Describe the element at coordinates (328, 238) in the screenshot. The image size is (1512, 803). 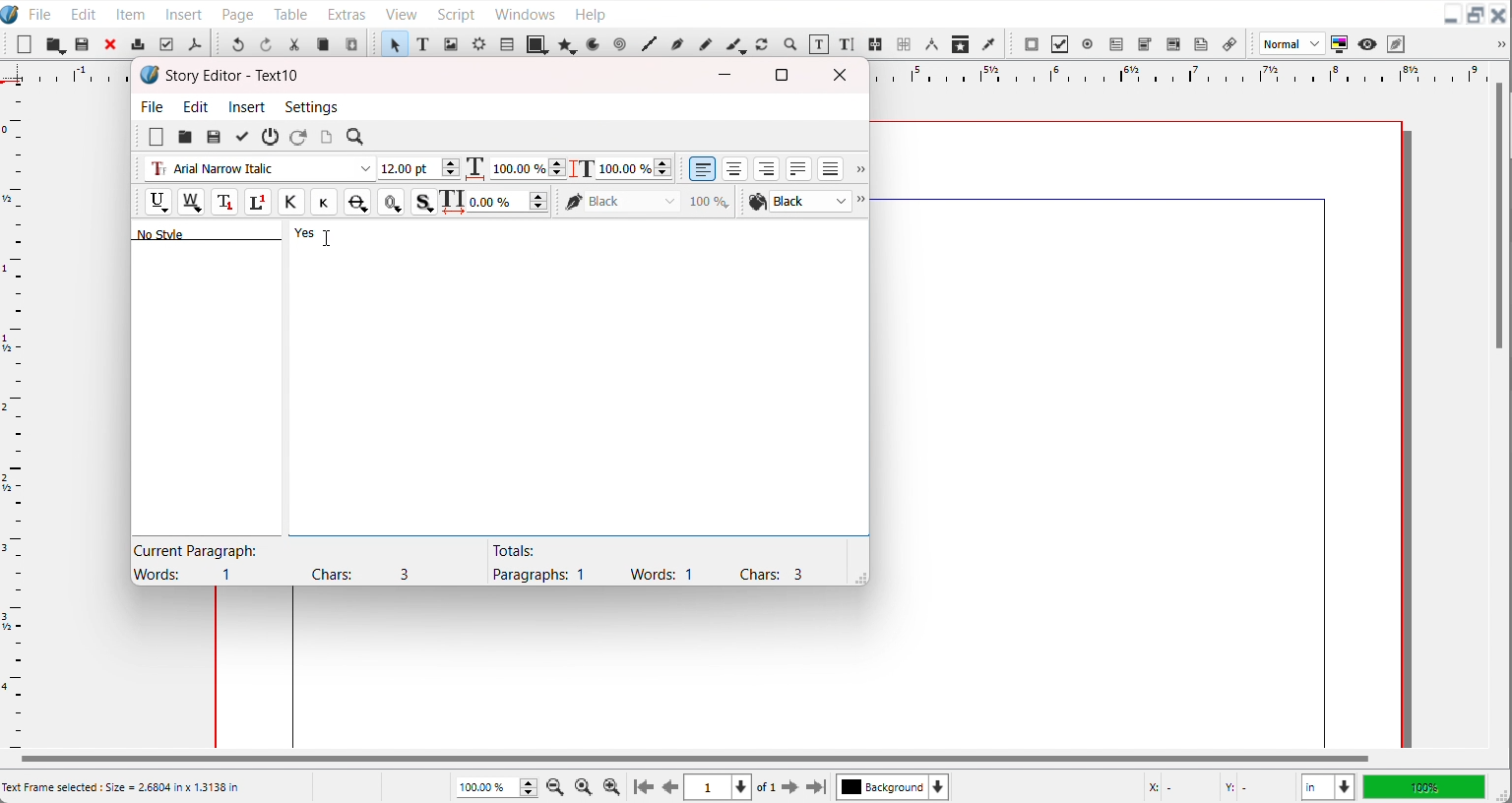
I see `Text Cursor` at that location.